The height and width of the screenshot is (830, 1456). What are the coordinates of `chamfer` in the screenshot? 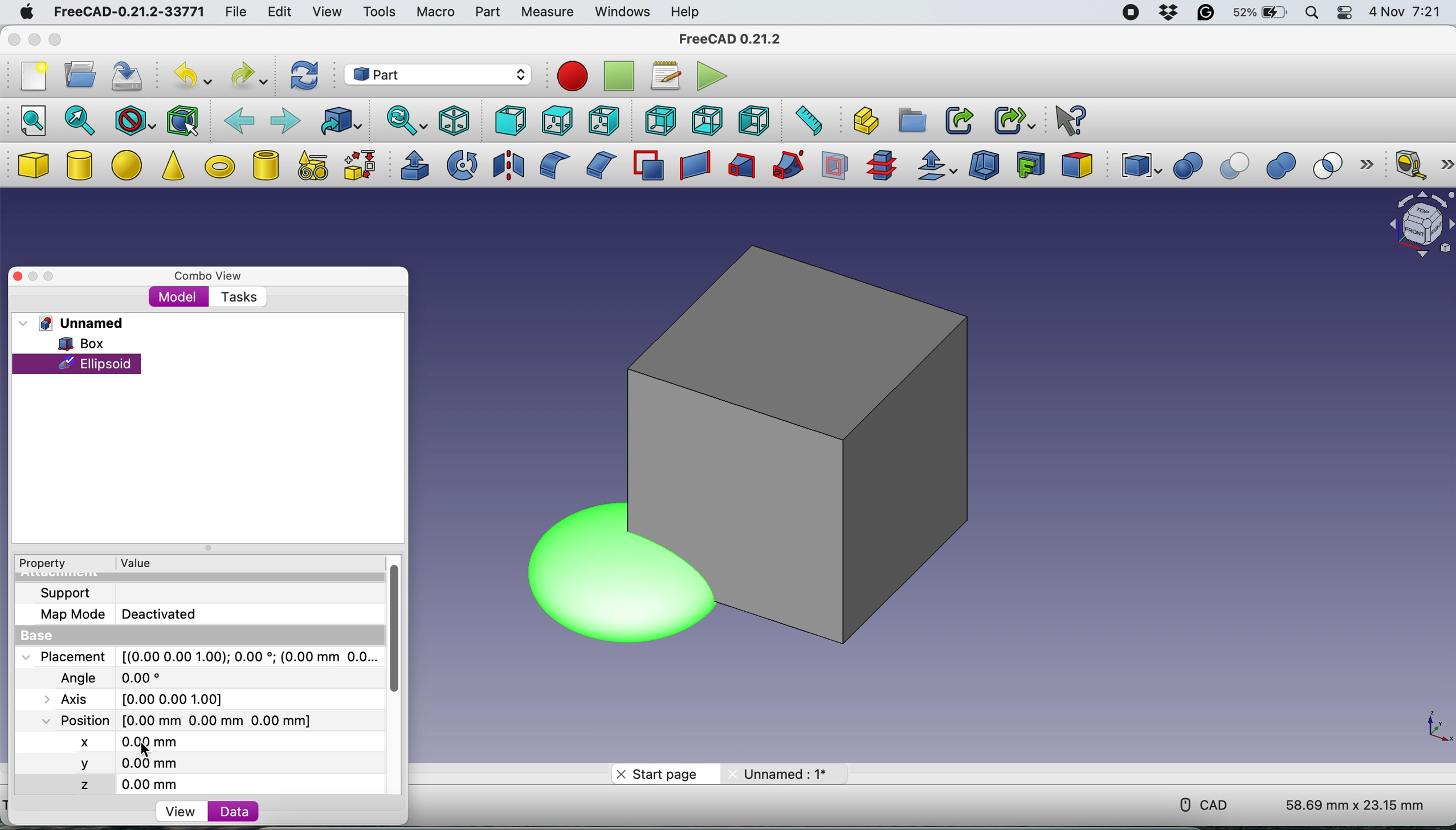 It's located at (599, 164).